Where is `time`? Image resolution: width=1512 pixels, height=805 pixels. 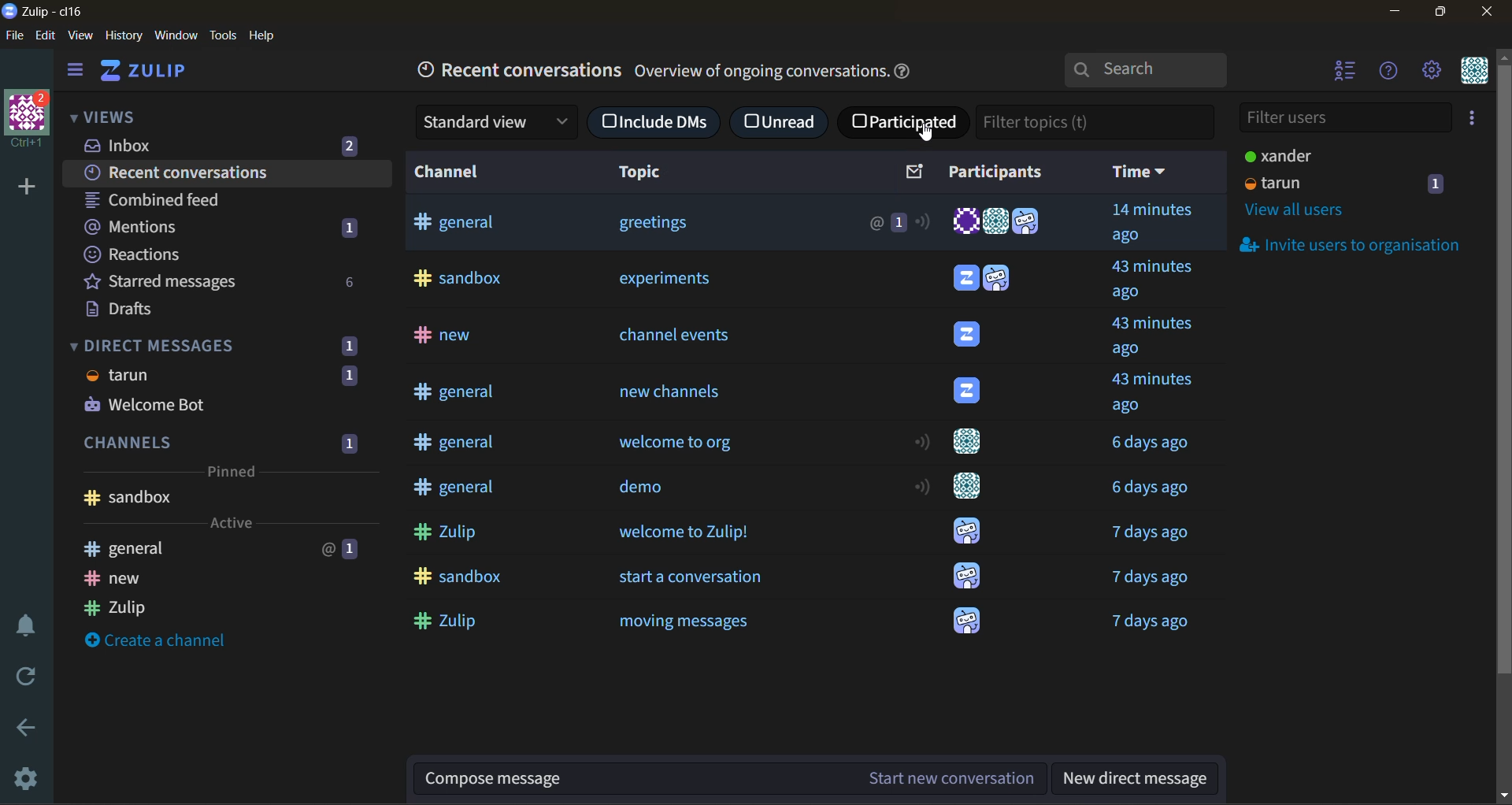
time is located at coordinates (1154, 577).